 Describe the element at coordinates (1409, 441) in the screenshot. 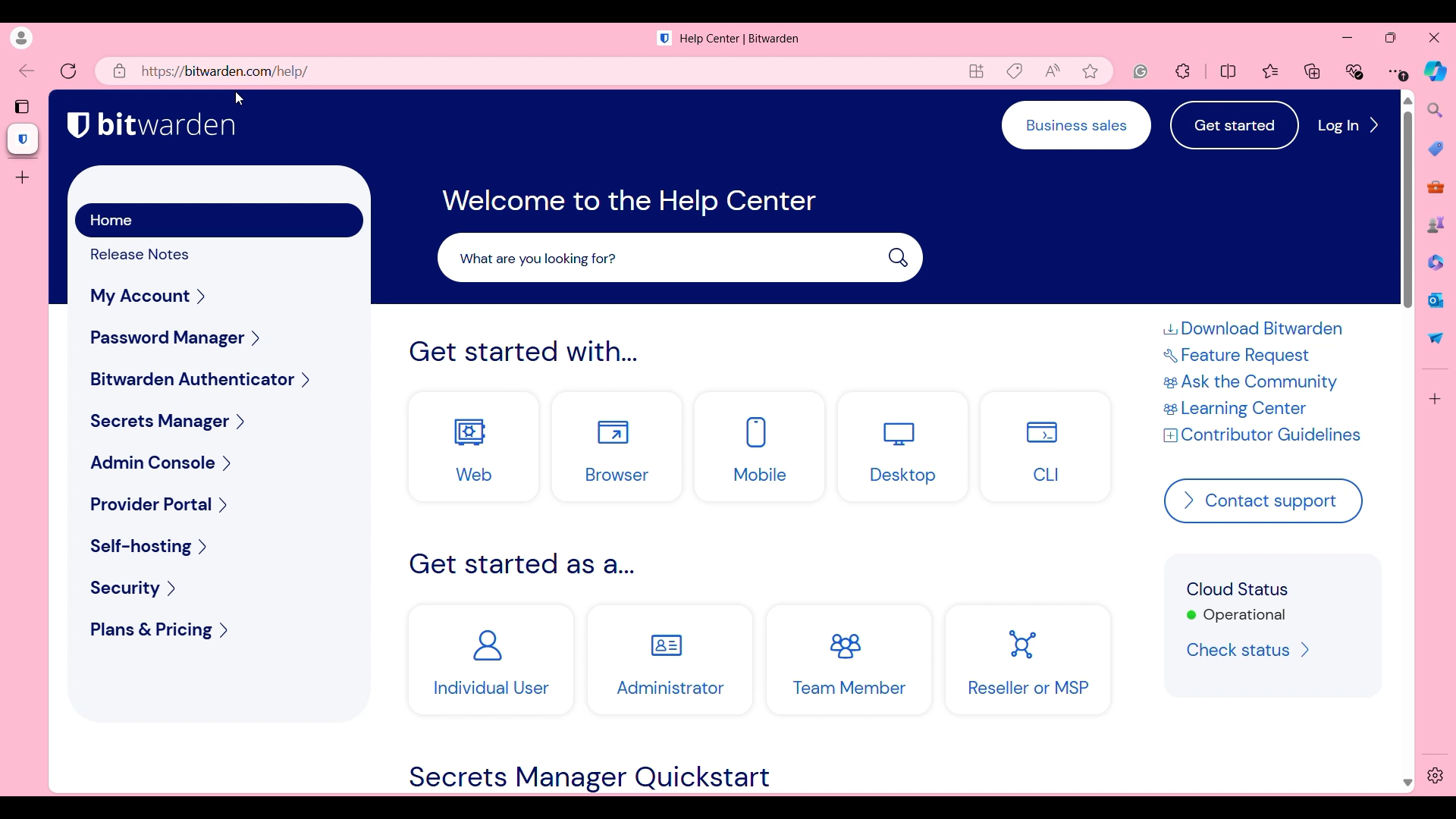

I see `Vertical slide bar` at that location.